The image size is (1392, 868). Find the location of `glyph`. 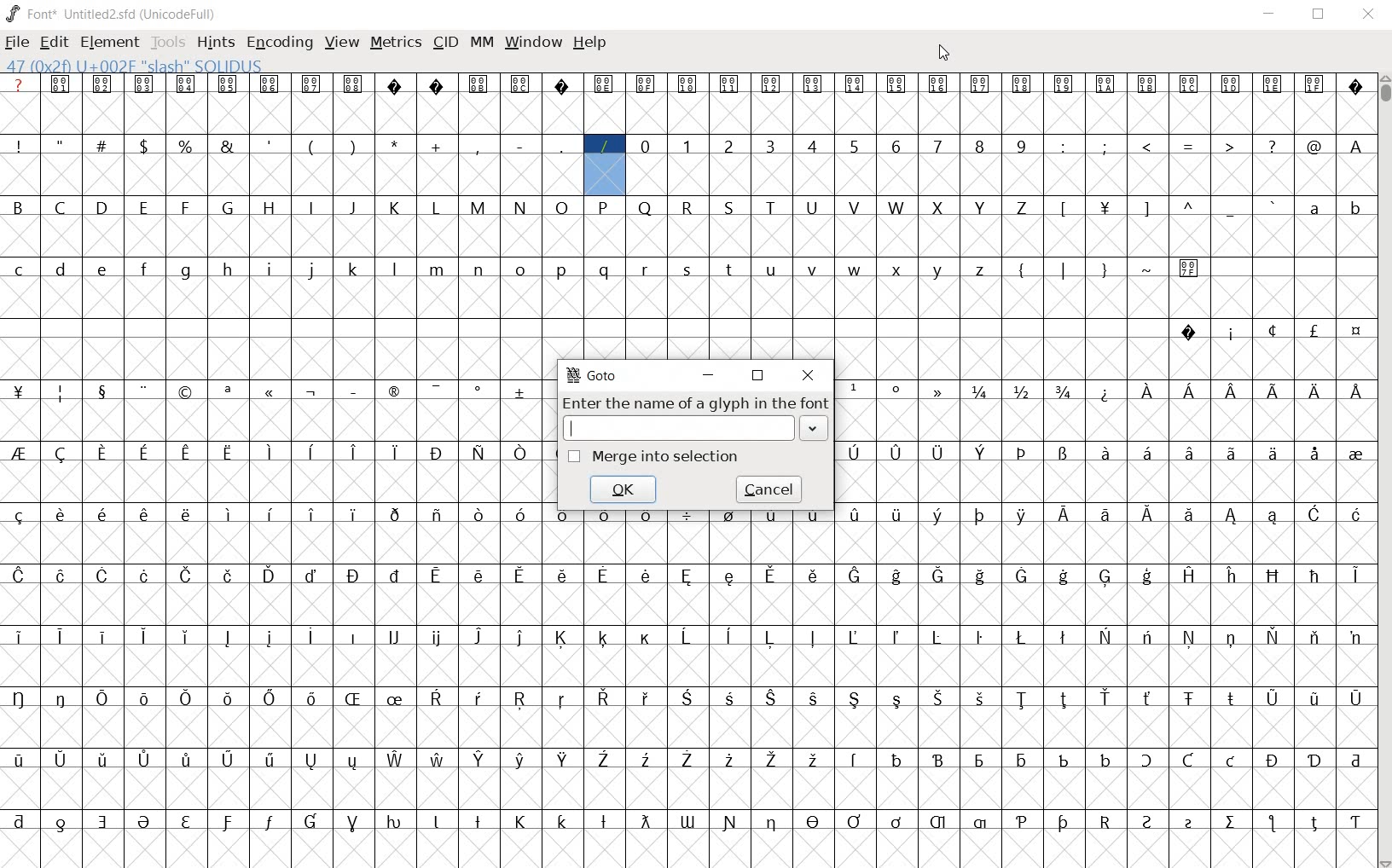

glyph is located at coordinates (102, 84).